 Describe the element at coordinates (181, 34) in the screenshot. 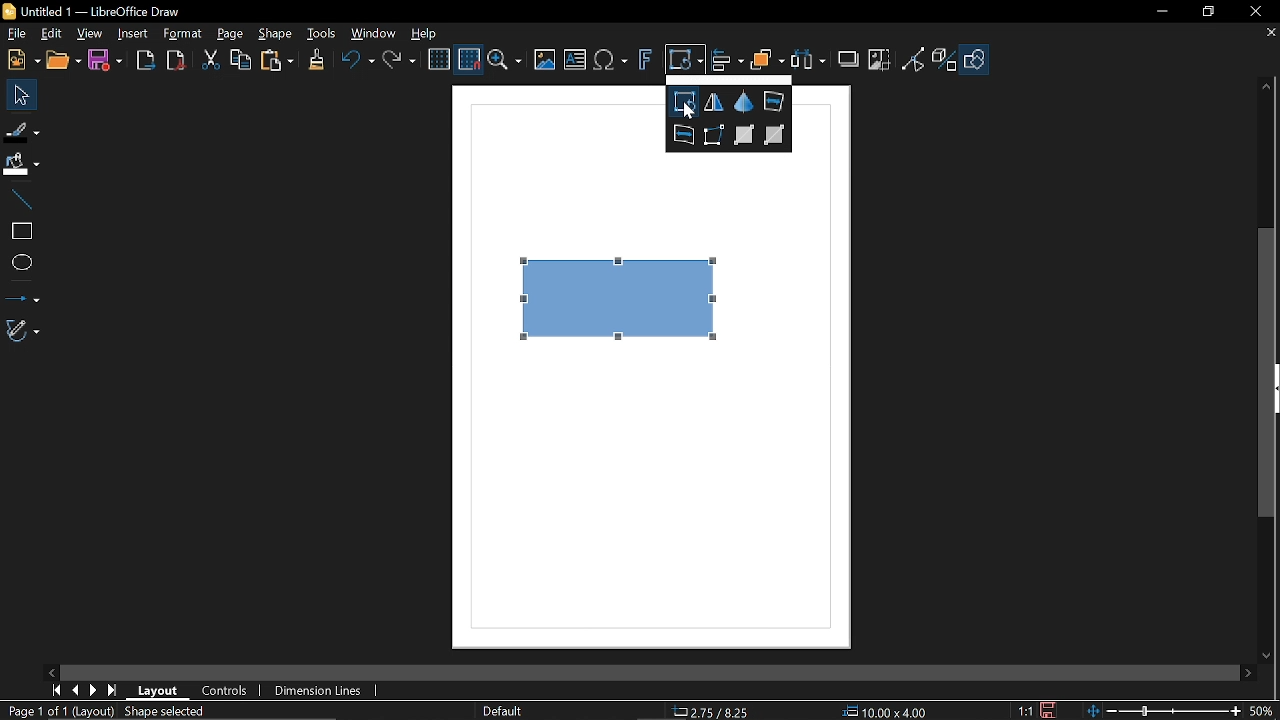

I see `Format` at that location.